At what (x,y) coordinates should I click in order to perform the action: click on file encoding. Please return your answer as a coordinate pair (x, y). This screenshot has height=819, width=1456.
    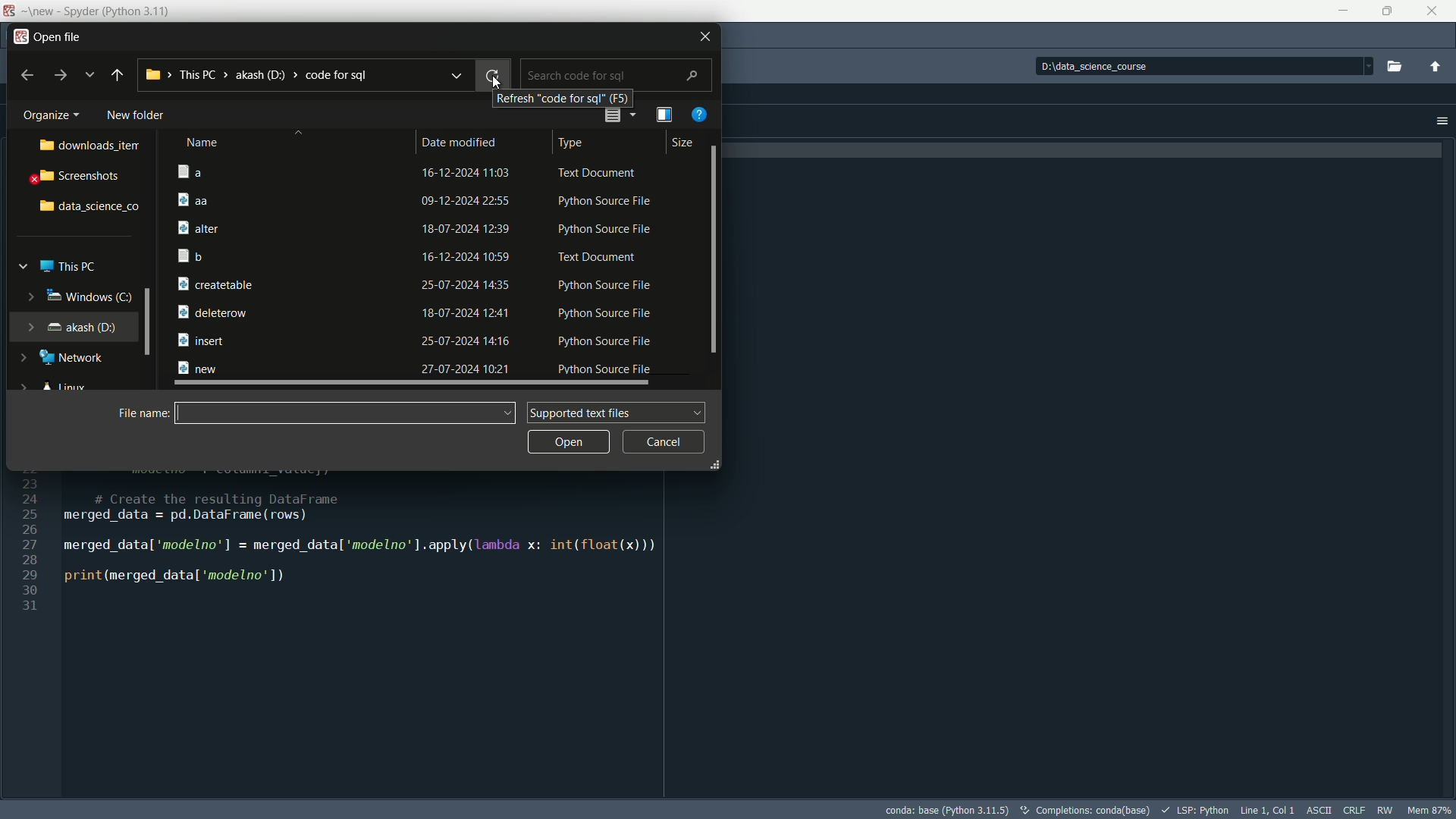
    Looking at the image, I should click on (1322, 809).